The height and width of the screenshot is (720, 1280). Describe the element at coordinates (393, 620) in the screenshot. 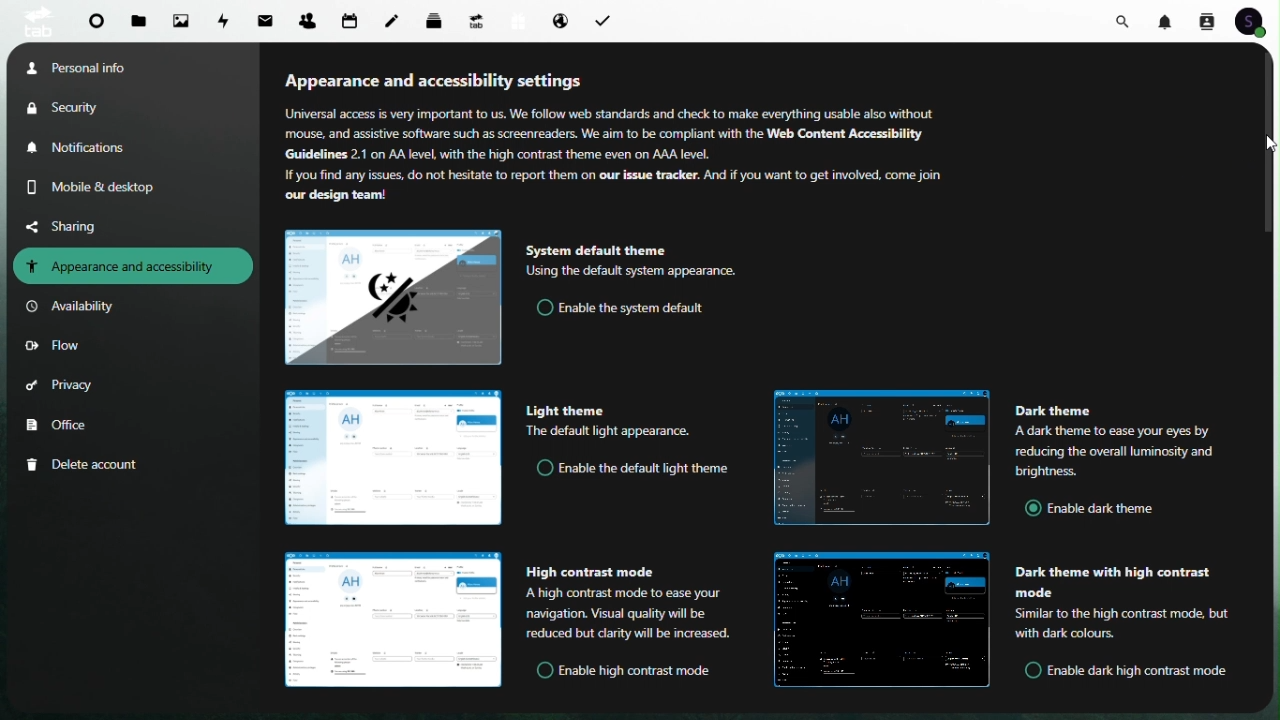

I see `High contrast mode` at that location.